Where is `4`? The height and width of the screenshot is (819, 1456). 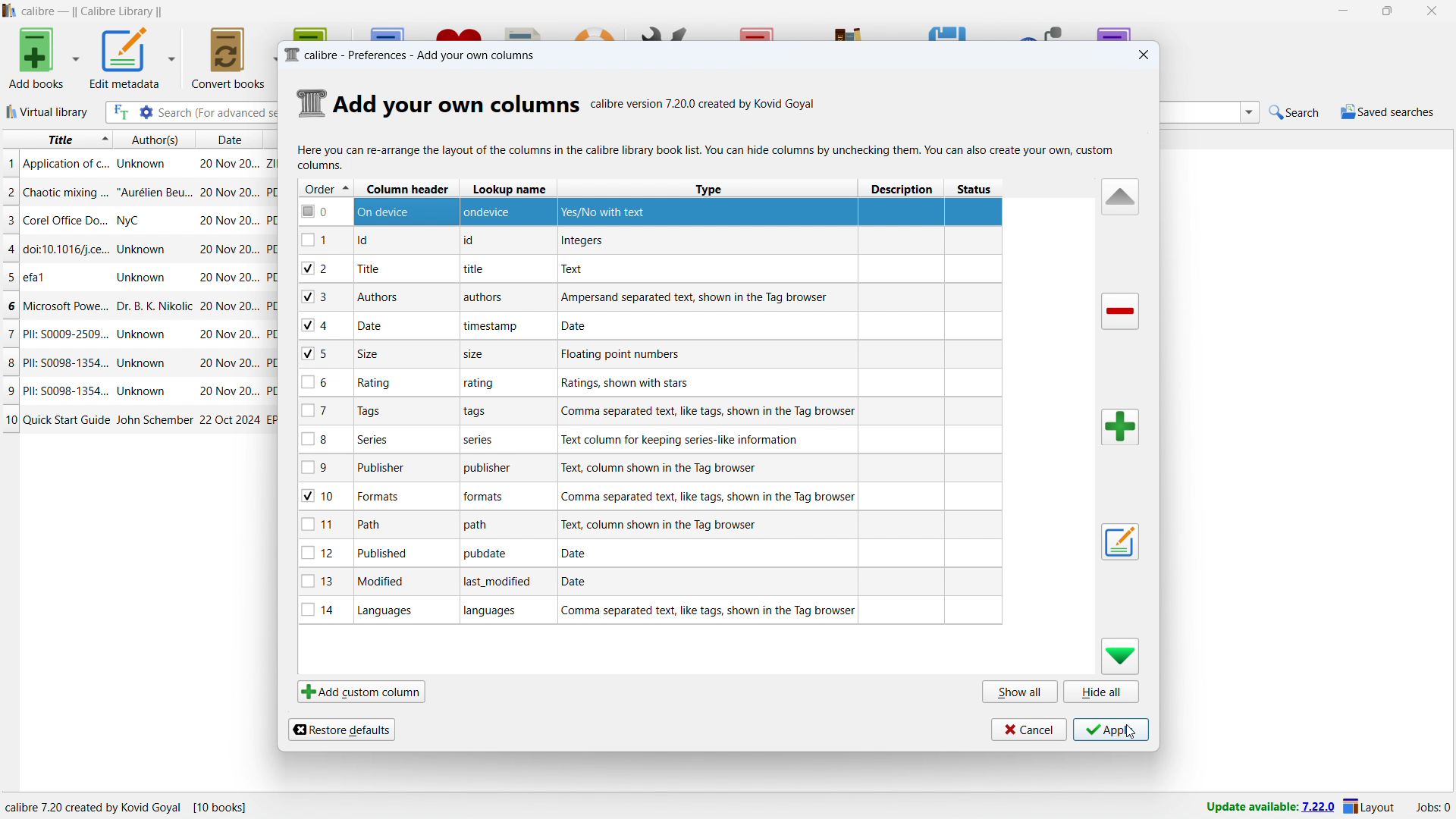
4 is located at coordinates (10, 248).